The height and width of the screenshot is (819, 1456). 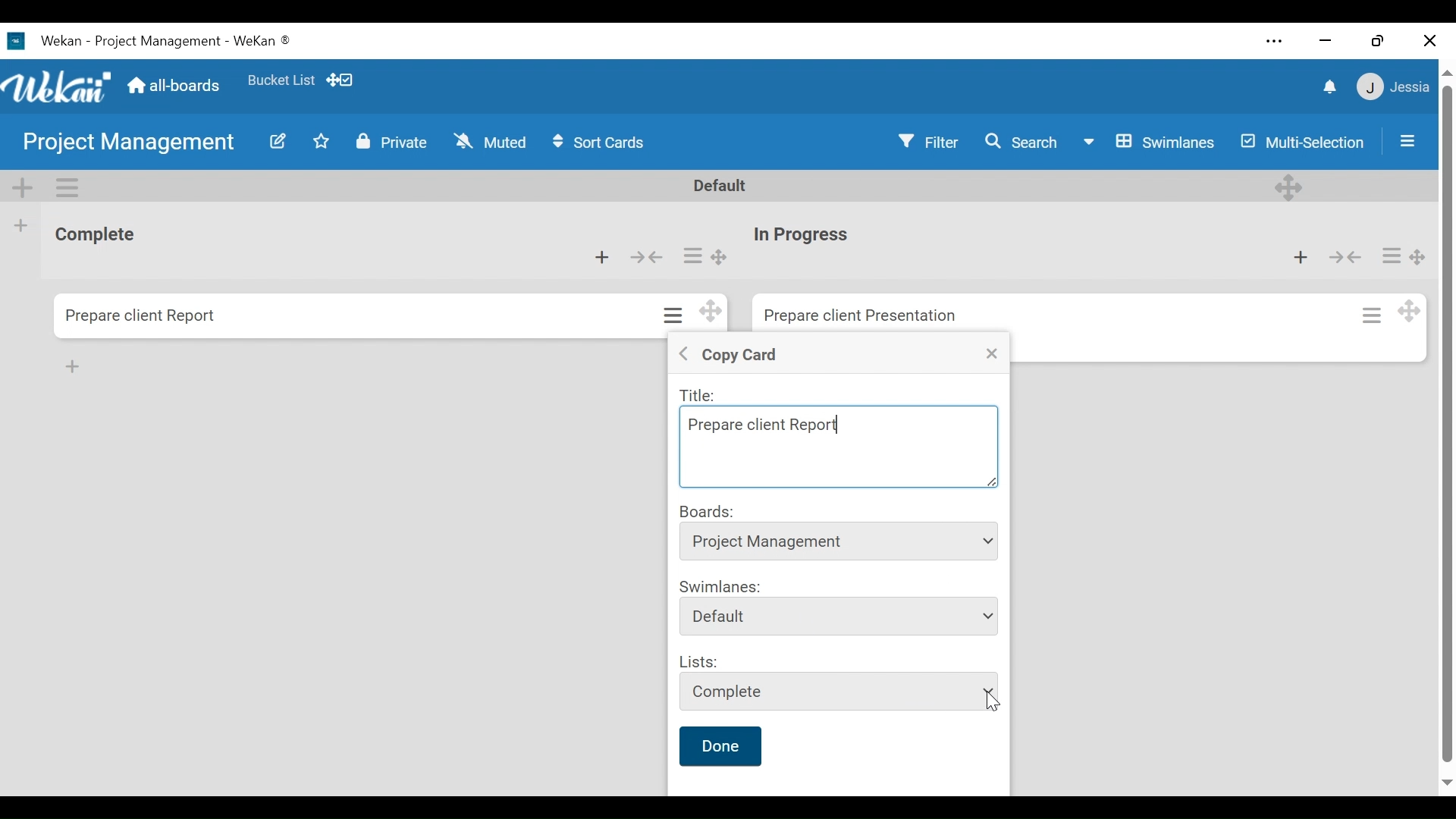 I want to click on Swimlane Actions, so click(x=69, y=188).